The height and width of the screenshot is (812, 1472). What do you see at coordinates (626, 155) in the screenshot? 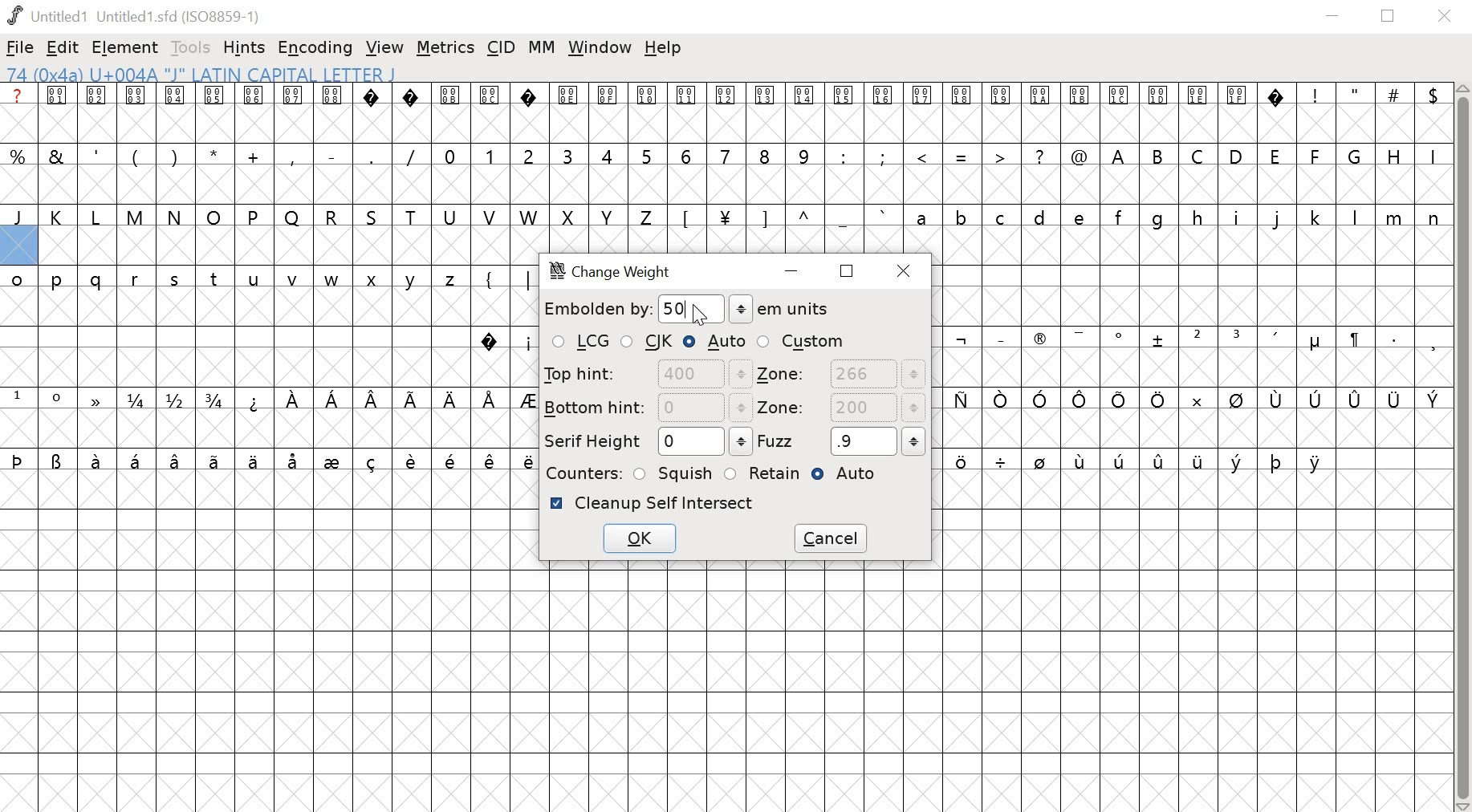
I see `numbers` at bounding box center [626, 155].